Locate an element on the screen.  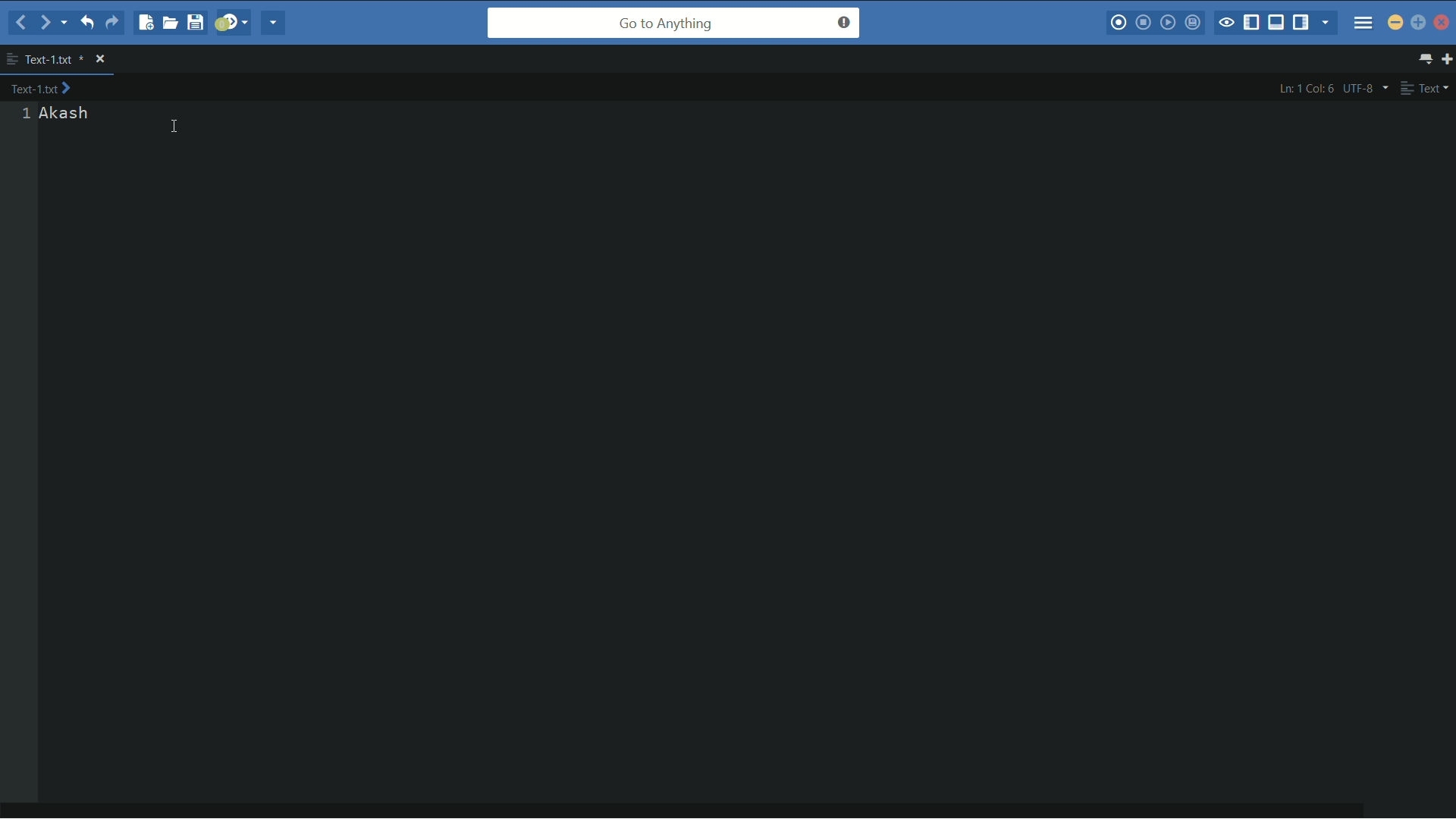
record macro is located at coordinates (1119, 21).